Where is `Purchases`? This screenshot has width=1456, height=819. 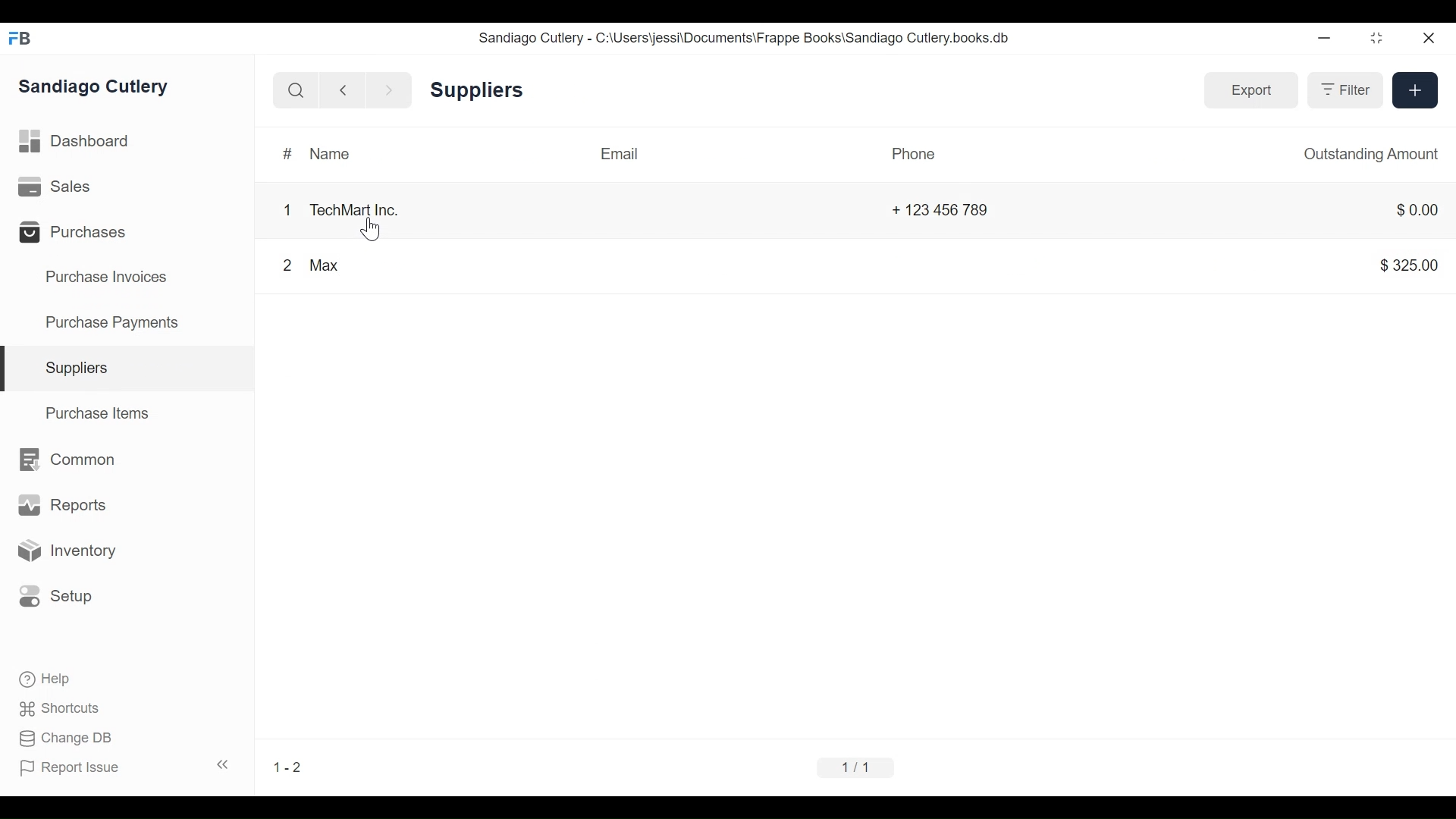
Purchases is located at coordinates (82, 234).